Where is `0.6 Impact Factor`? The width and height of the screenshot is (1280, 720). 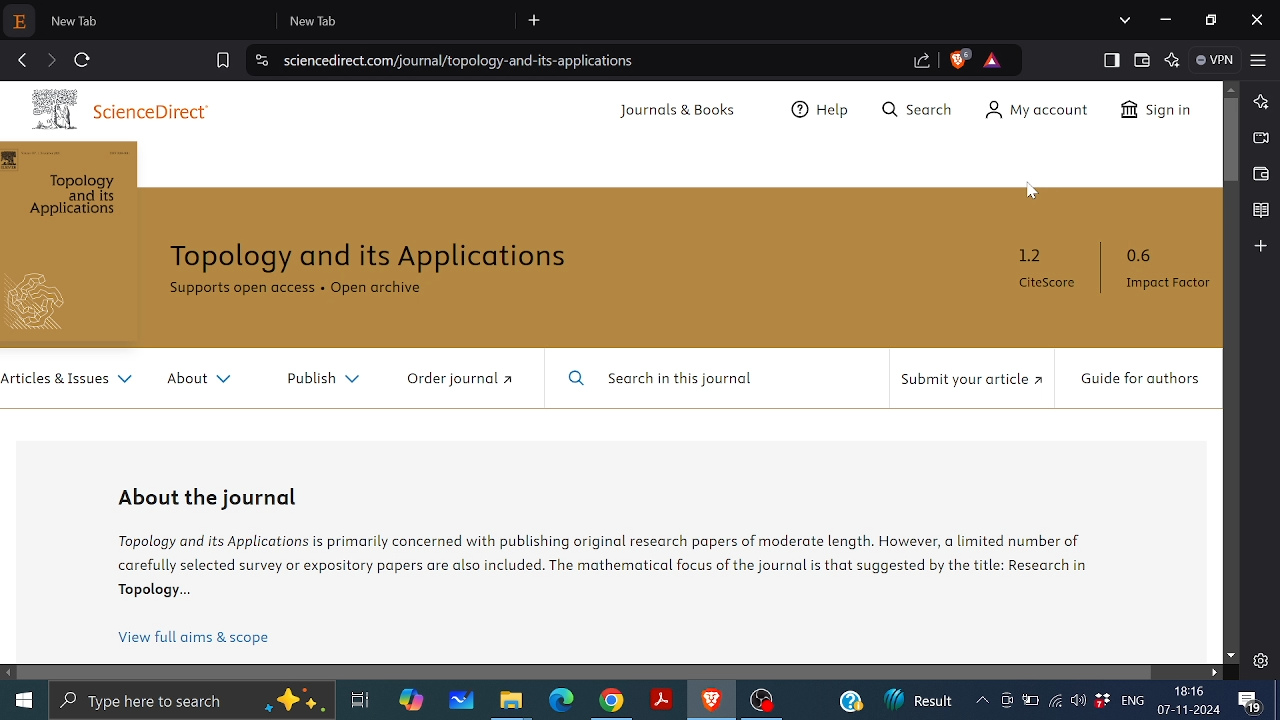 0.6 Impact Factor is located at coordinates (1165, 270).